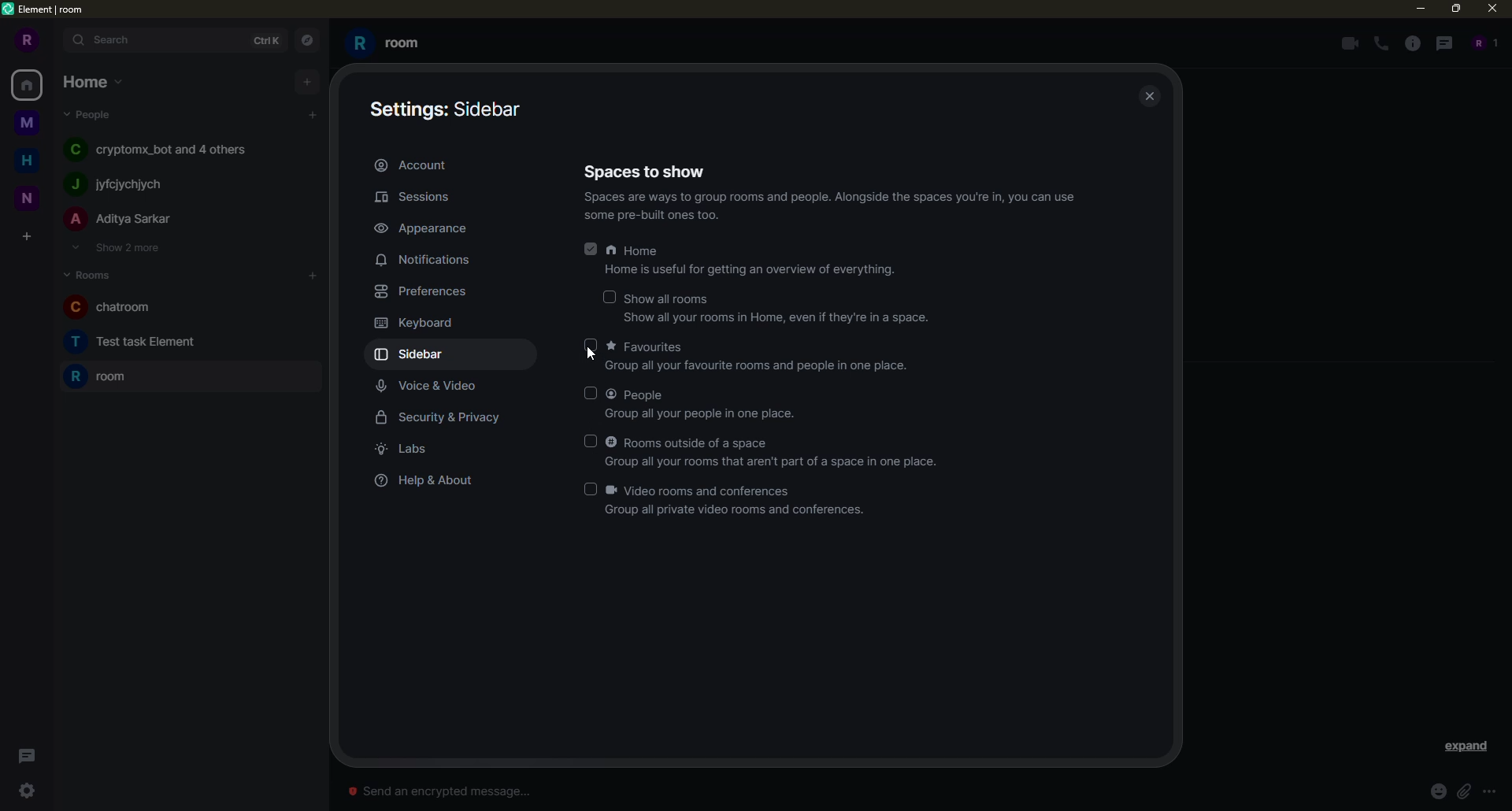 This screenshot has height=811, width=1512. Describe the element at coordinates (591, 394) in the screenshot. I see `select` at that location.